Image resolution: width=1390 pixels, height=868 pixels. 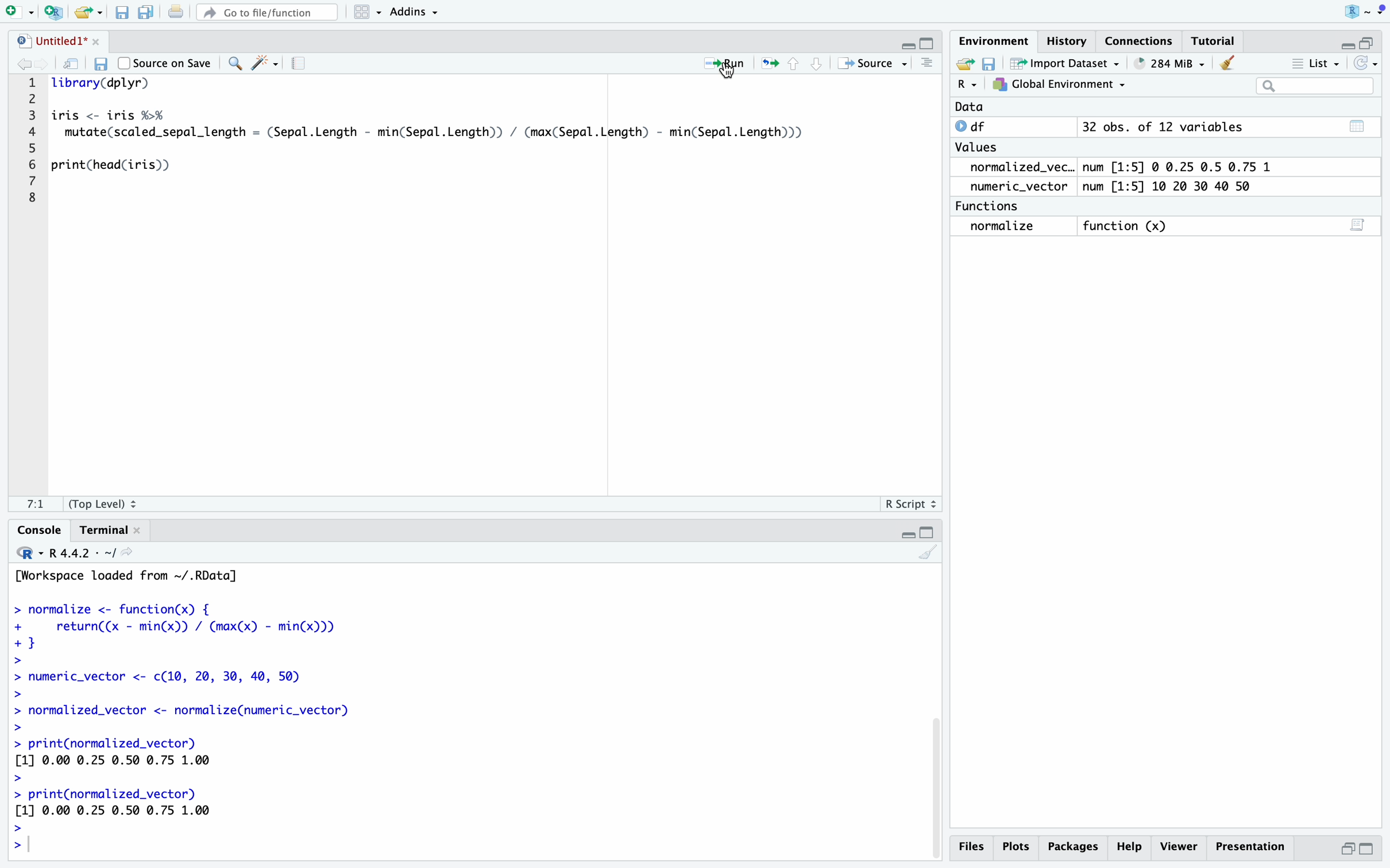 What do you see at coordinates (266, 11) in the screenshot?
I see `Go to file/function` at bounding box center [266, 11].